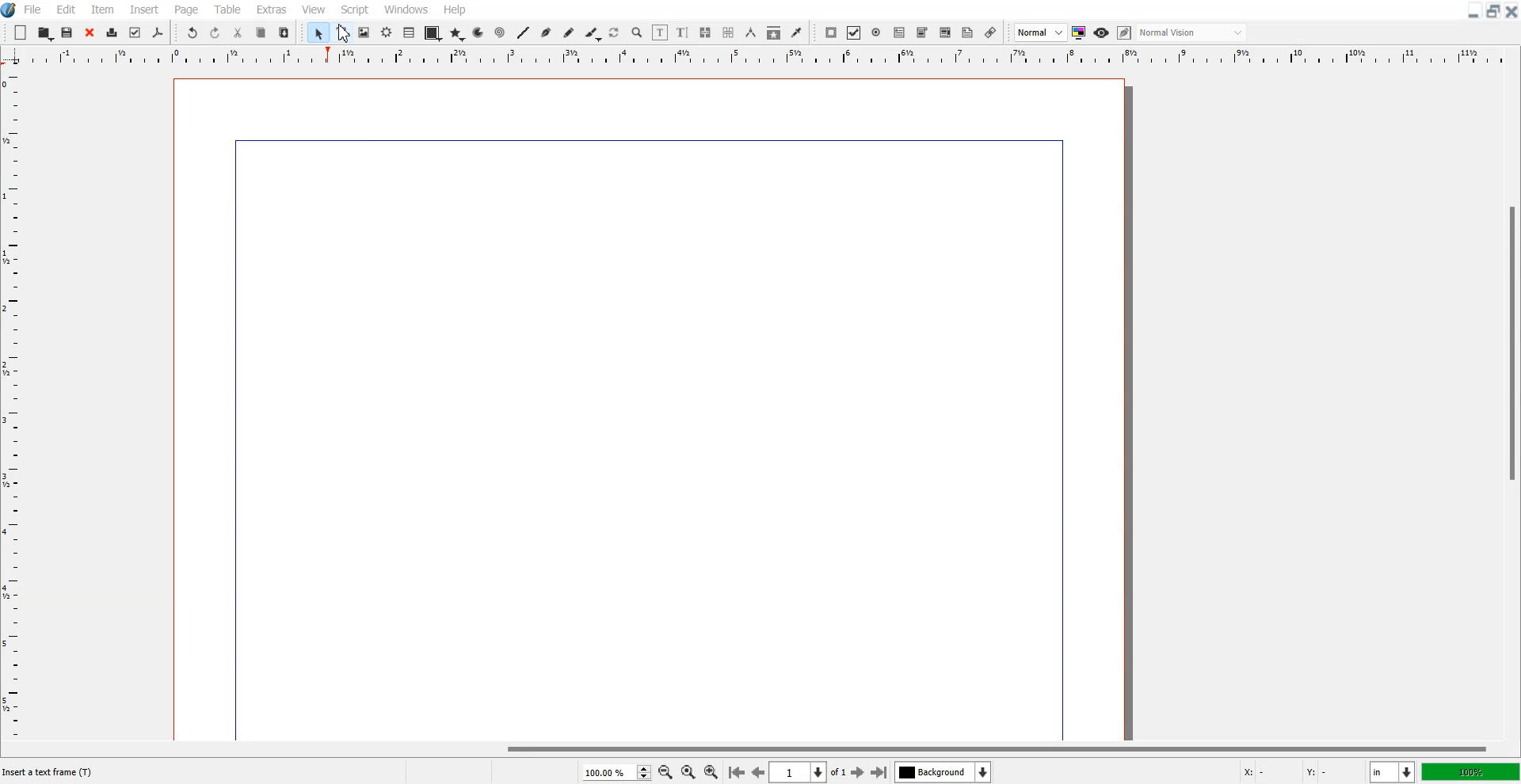  What do you see at coordinates (641, 138) in the screenshot?
I see `margin` at bounding box center [641, 138].